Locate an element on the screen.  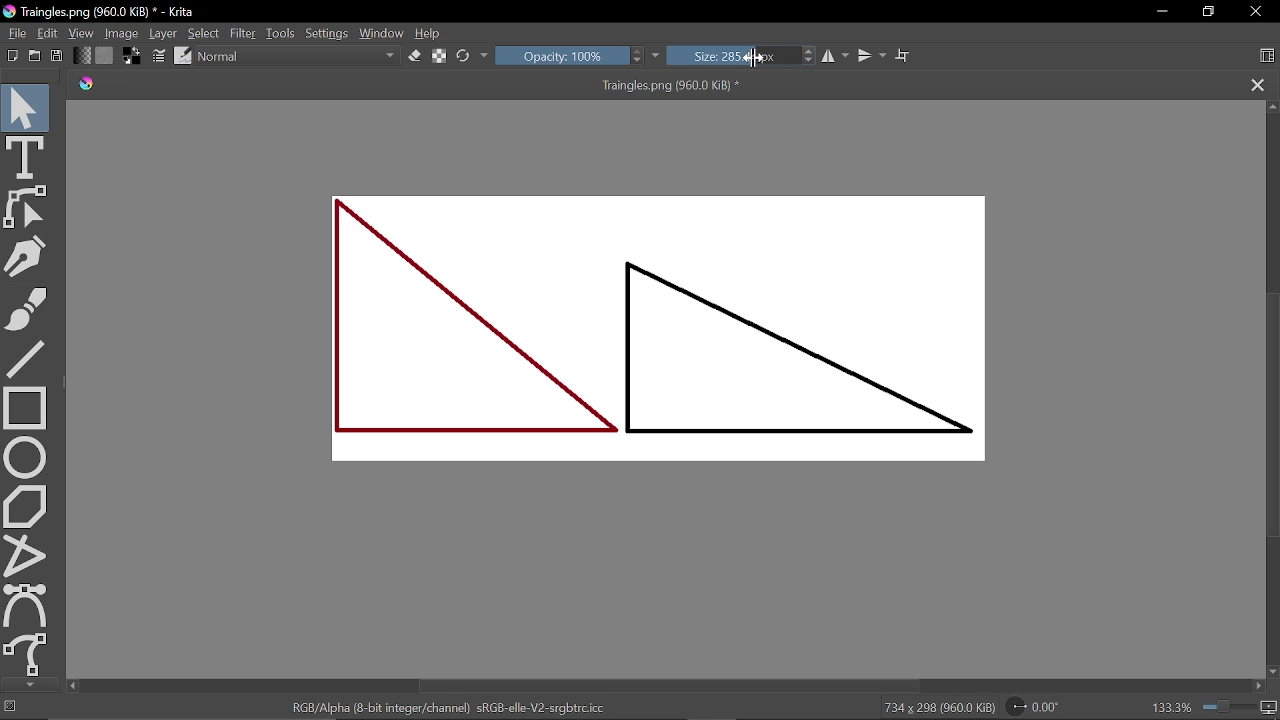
133.3% is located at coordinates (1207, 705).